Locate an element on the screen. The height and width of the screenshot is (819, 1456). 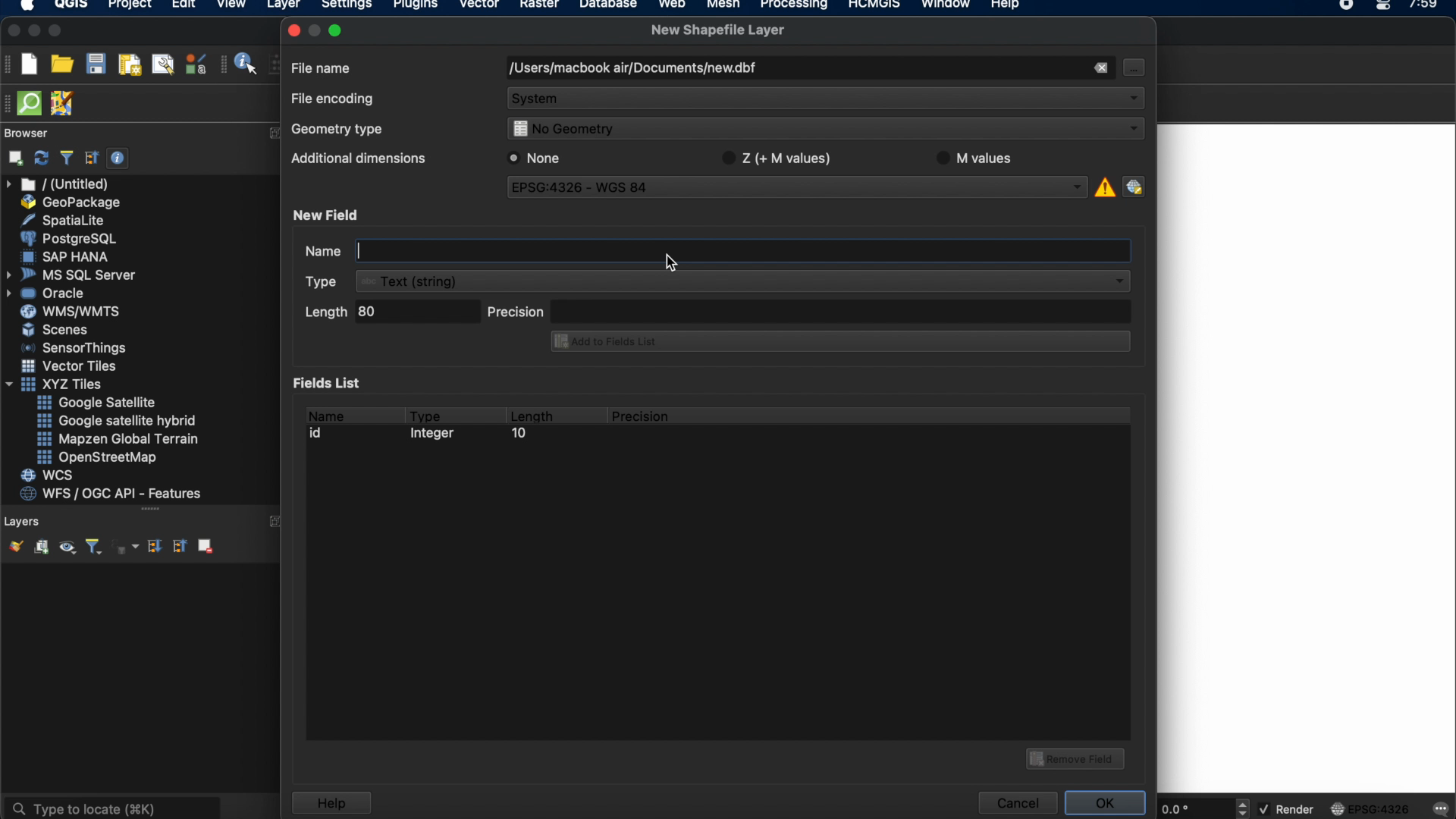
M values is located at coordinates (981, 158).